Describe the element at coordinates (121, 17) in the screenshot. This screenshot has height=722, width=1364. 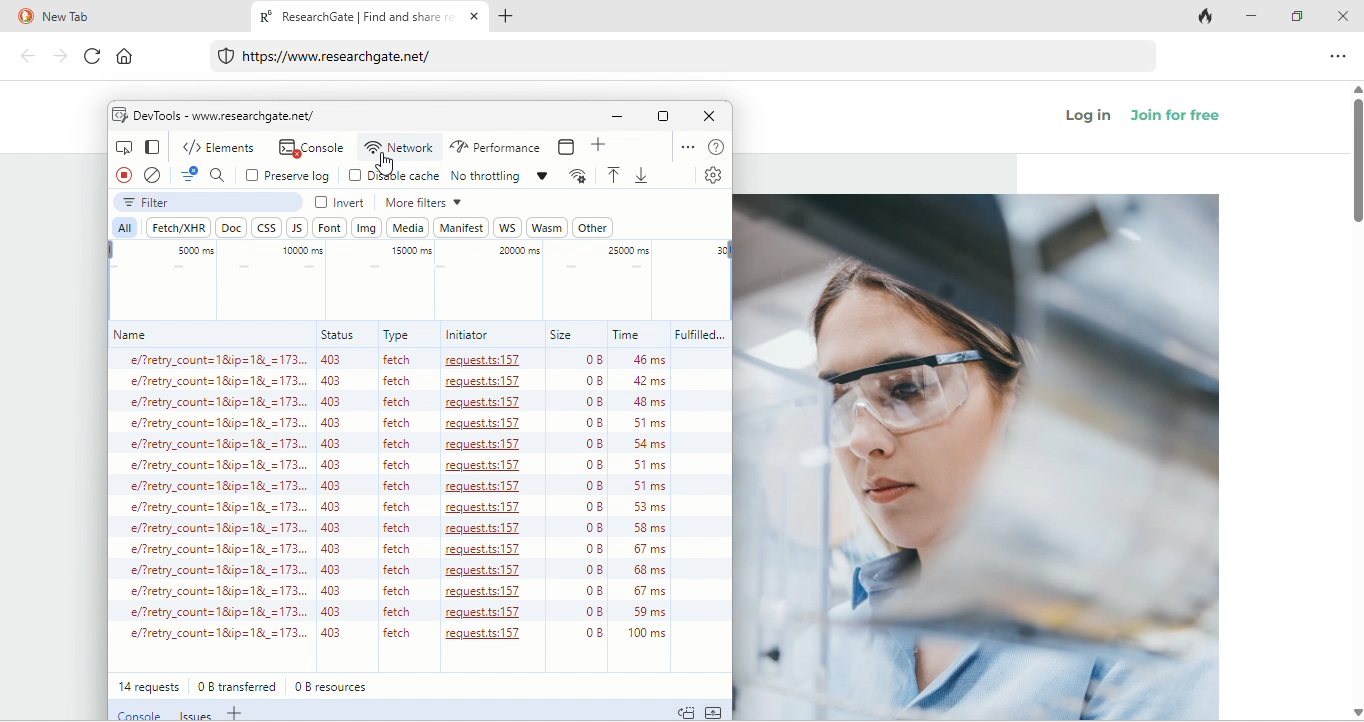
I see `new tab` at that location.